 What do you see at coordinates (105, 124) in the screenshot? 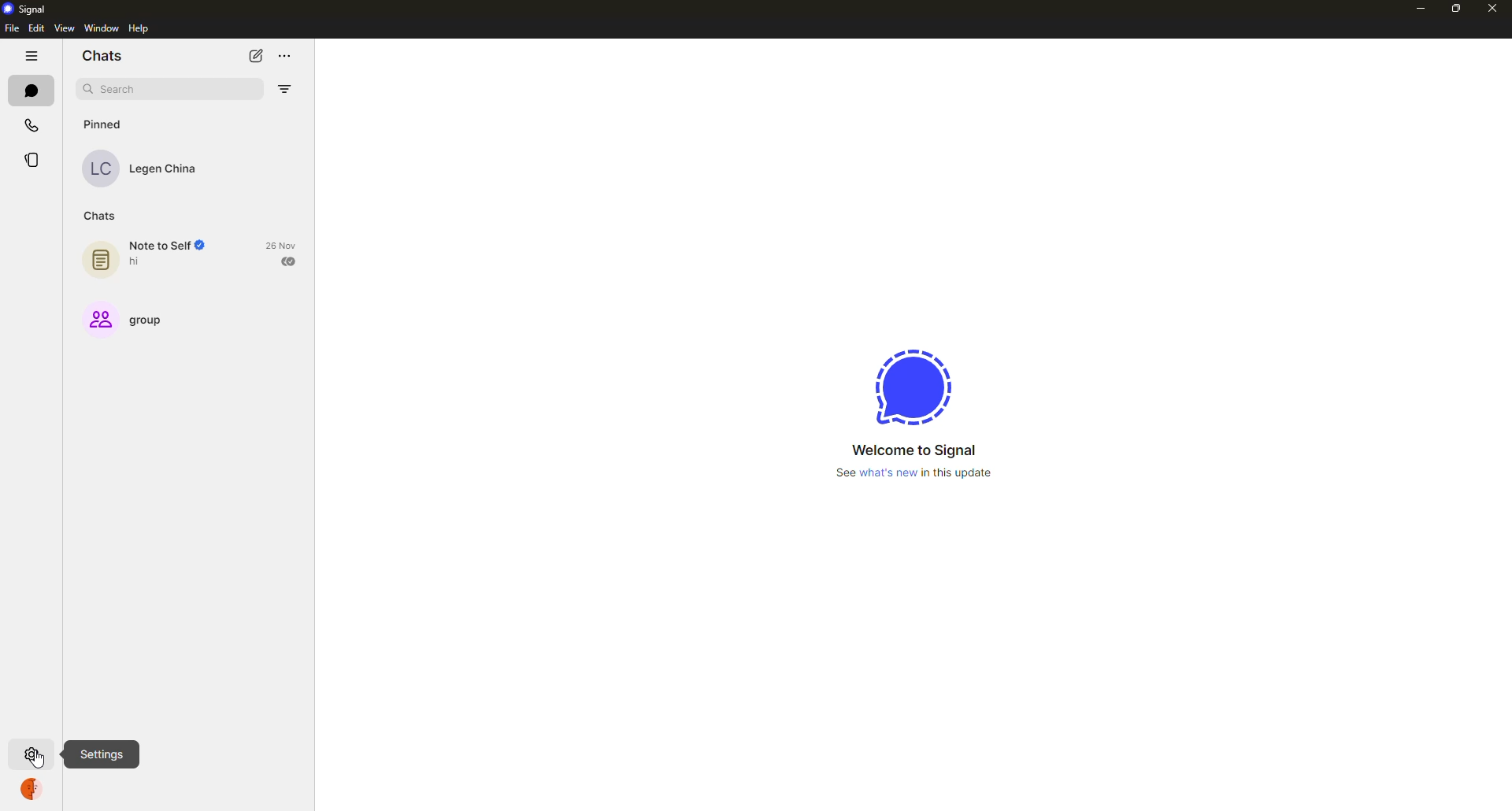
I see `pinned` at bounding box center [105, 124].